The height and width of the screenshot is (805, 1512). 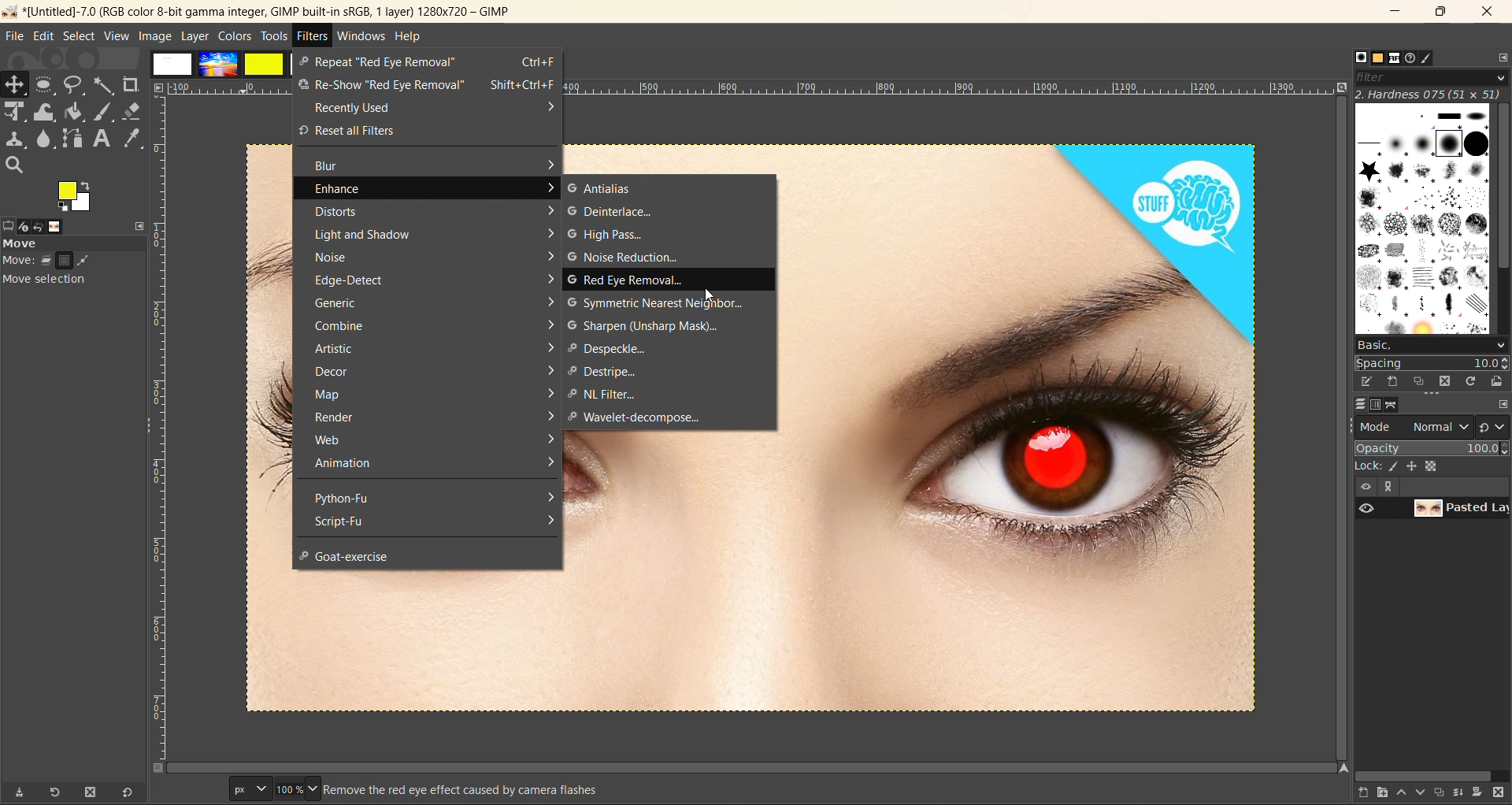 What do you see at coordinates (430, 63) in the screenshot?
I see `repeat red eye removal` at bounding box center [430, 63].